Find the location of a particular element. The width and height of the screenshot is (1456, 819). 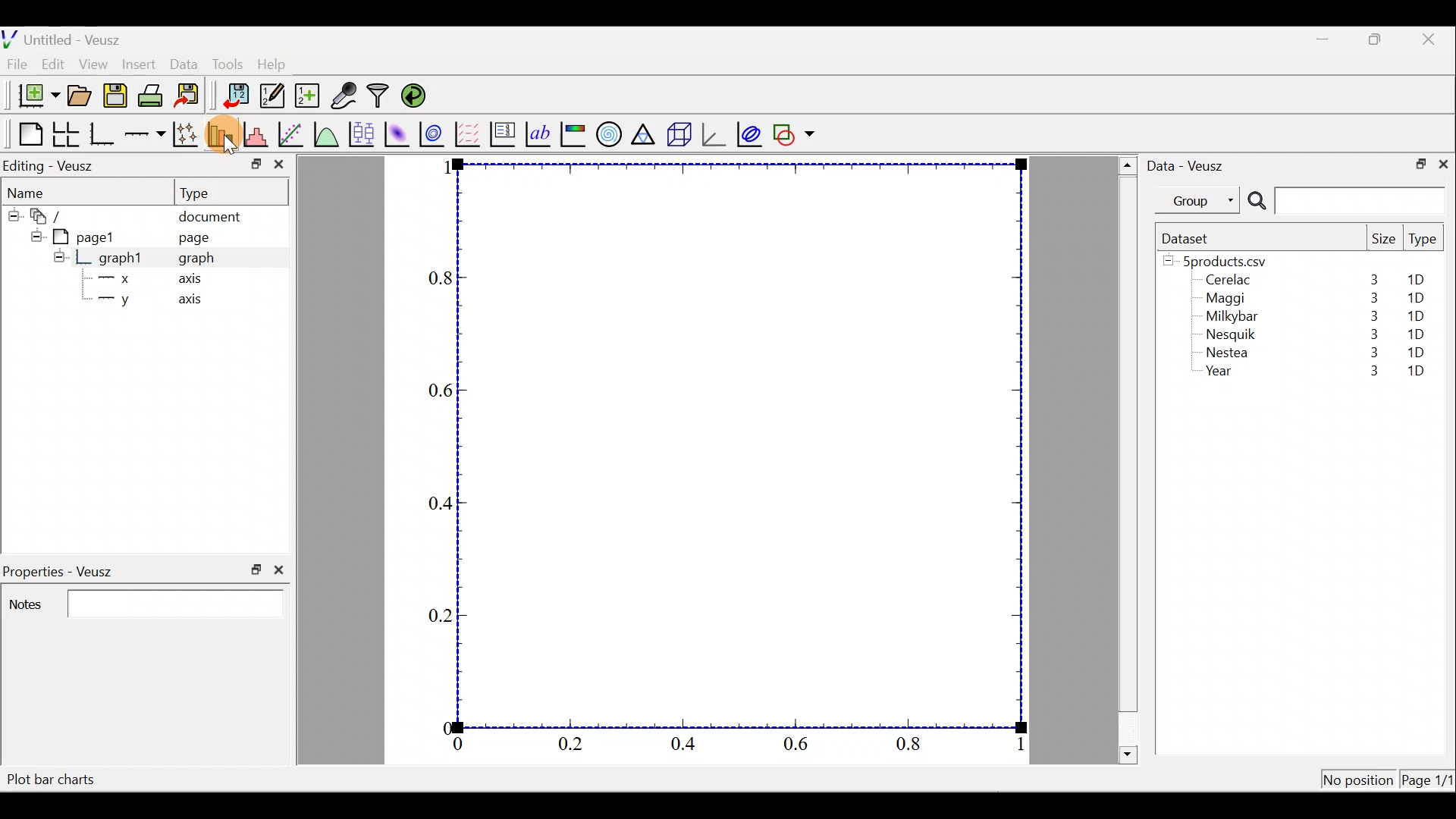

close is located at coordinates (279, 168).